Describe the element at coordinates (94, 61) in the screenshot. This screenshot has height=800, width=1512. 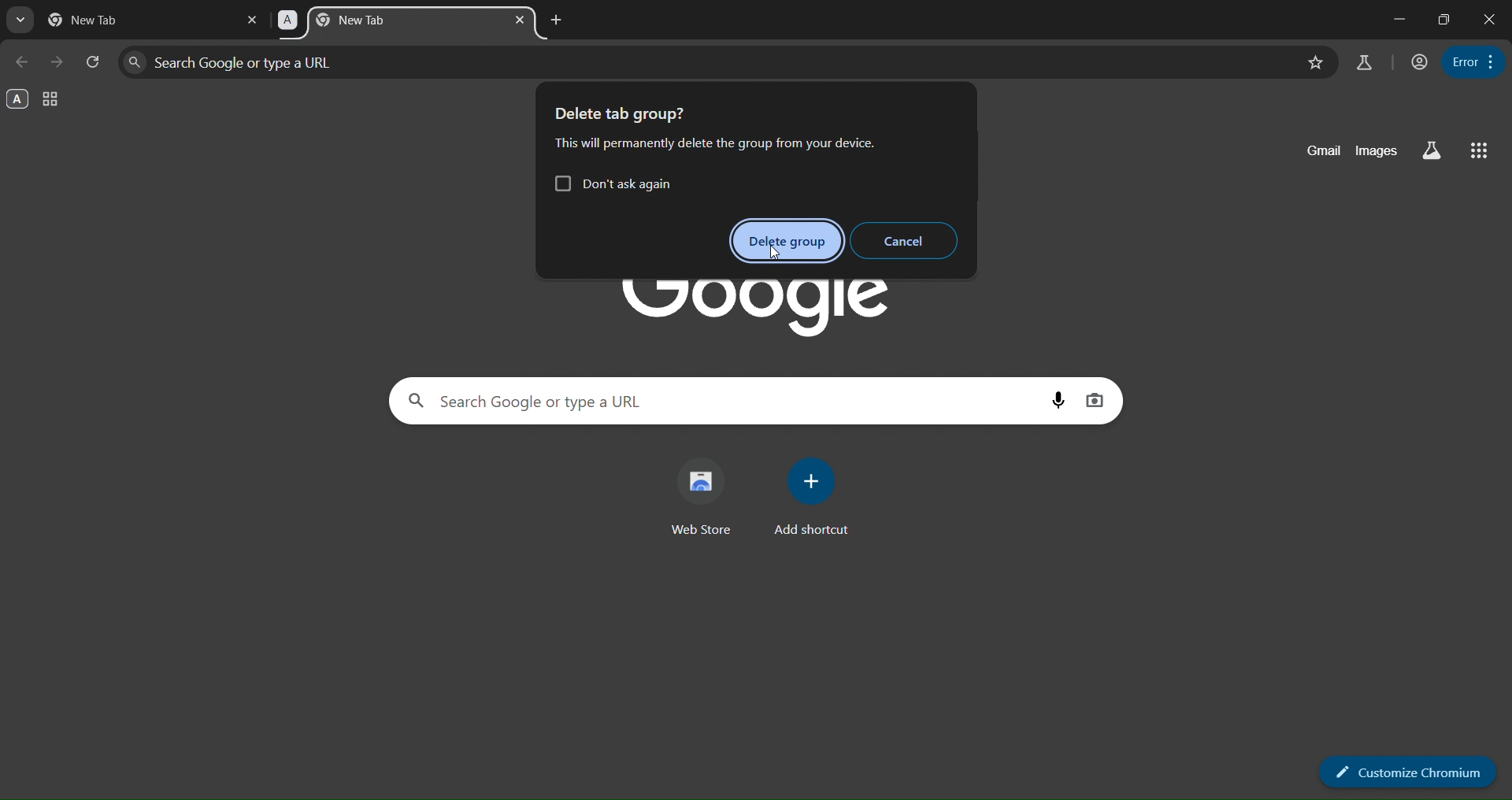
I see `reload page` at that location.